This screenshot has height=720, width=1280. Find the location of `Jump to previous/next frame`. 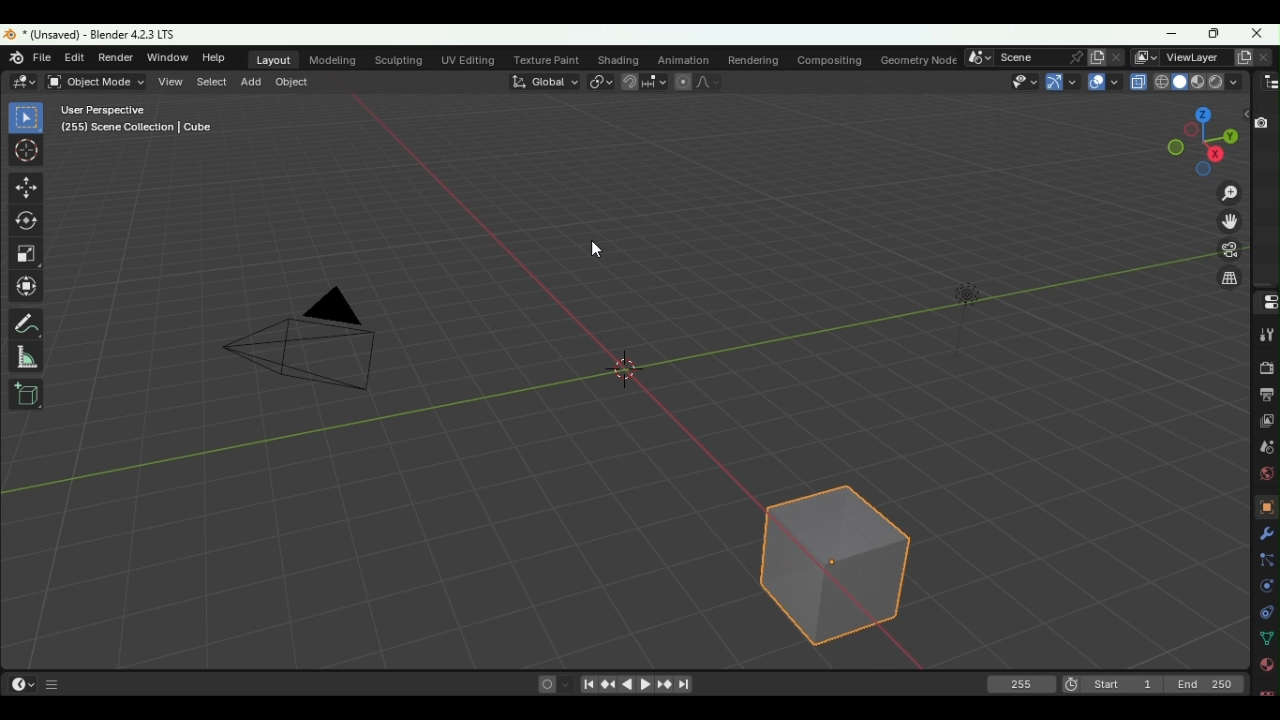

Jump to previous/next frame is located at coordinates (663, 684).